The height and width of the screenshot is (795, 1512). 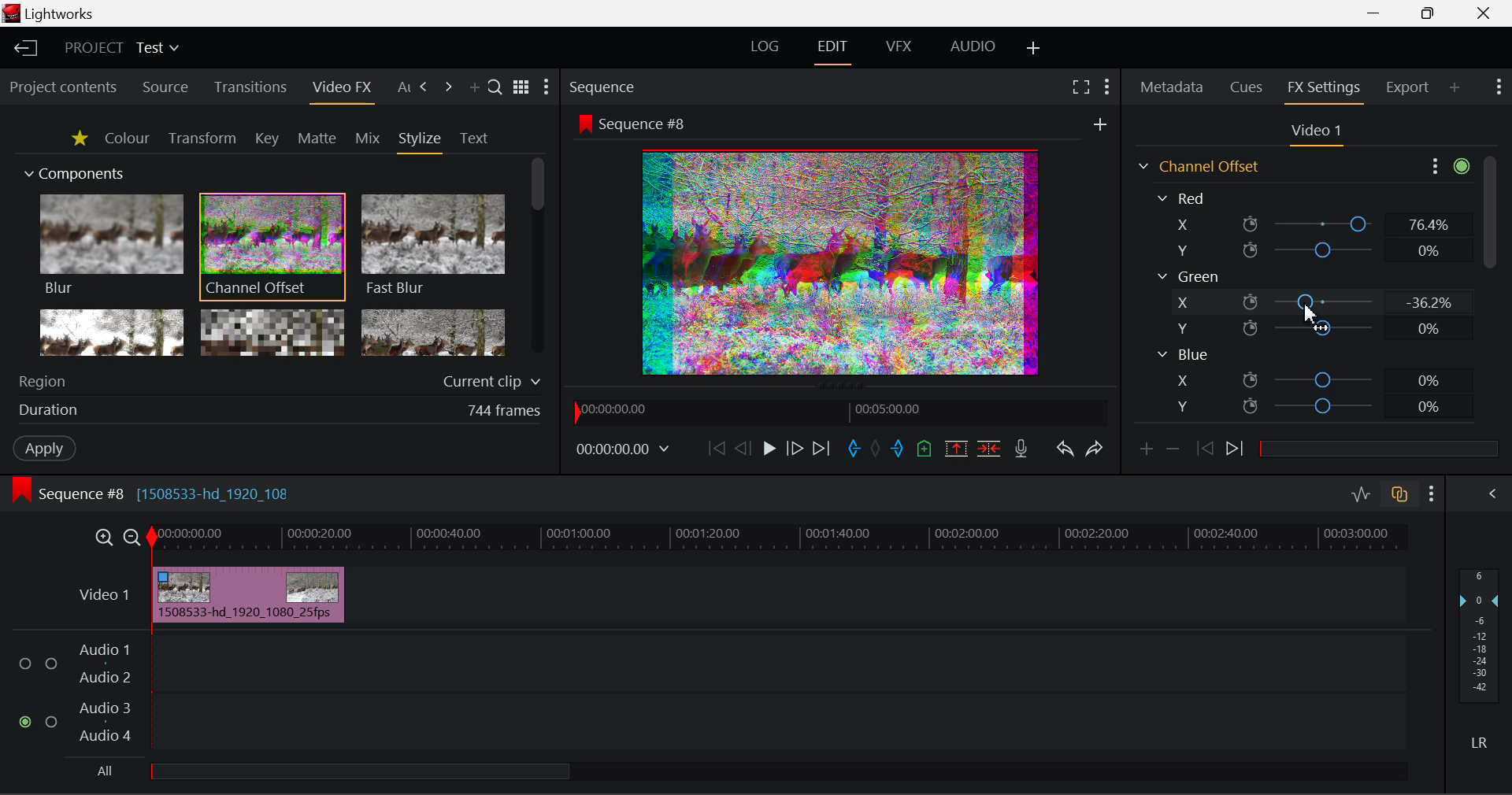 What do you see at coordinates (79, 140) in the screenshot?
I see `Favorites` at bounding box center [79, 140].